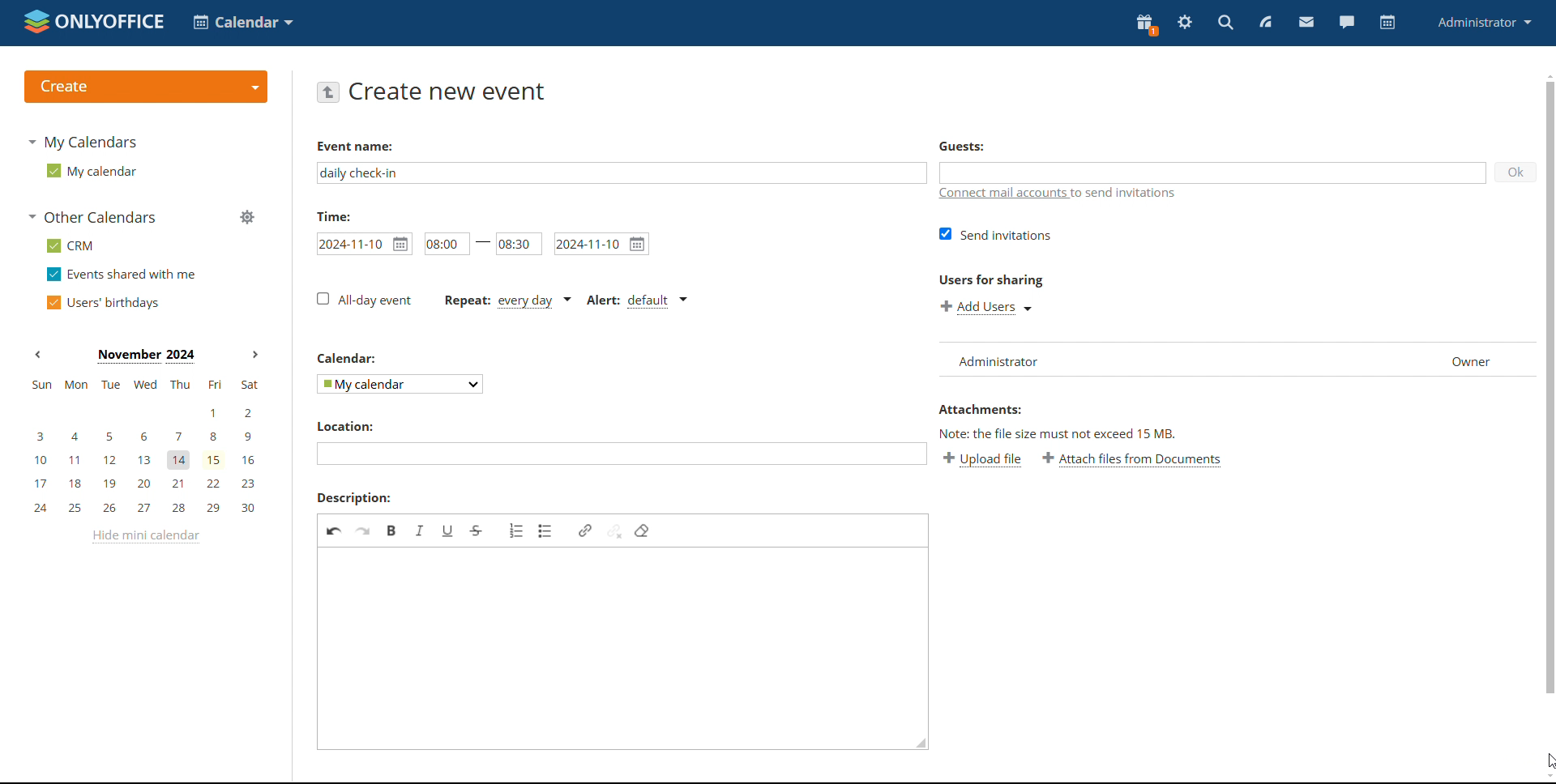 Image resolution: width=1556 pixels, height=784 pixels. I want to click on create, so click(145, 87).